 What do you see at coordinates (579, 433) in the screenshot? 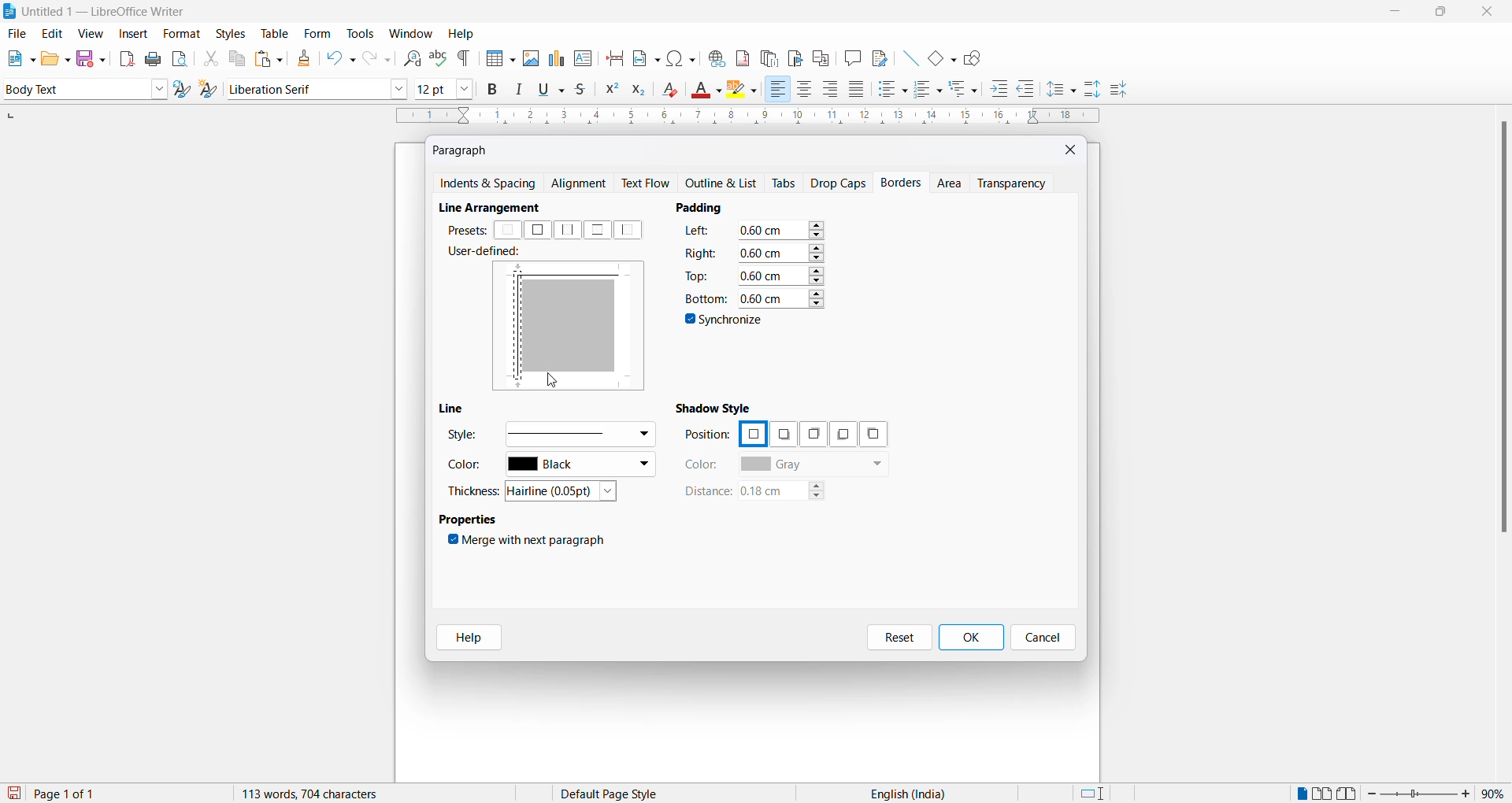
I see `line options` at bounding box center [579, 433].